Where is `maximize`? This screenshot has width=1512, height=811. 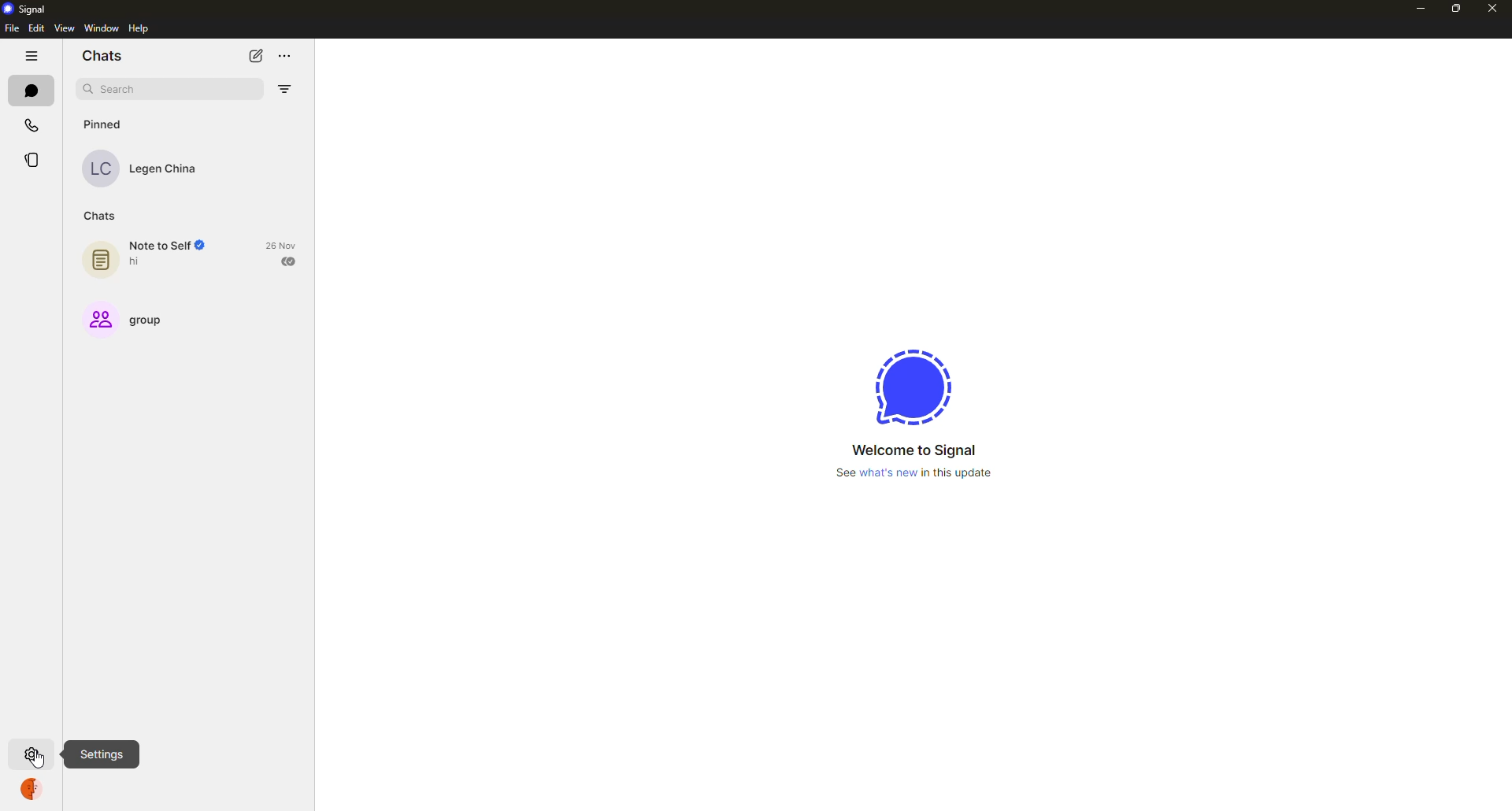
maximize is located at coordinates (1451, 9).